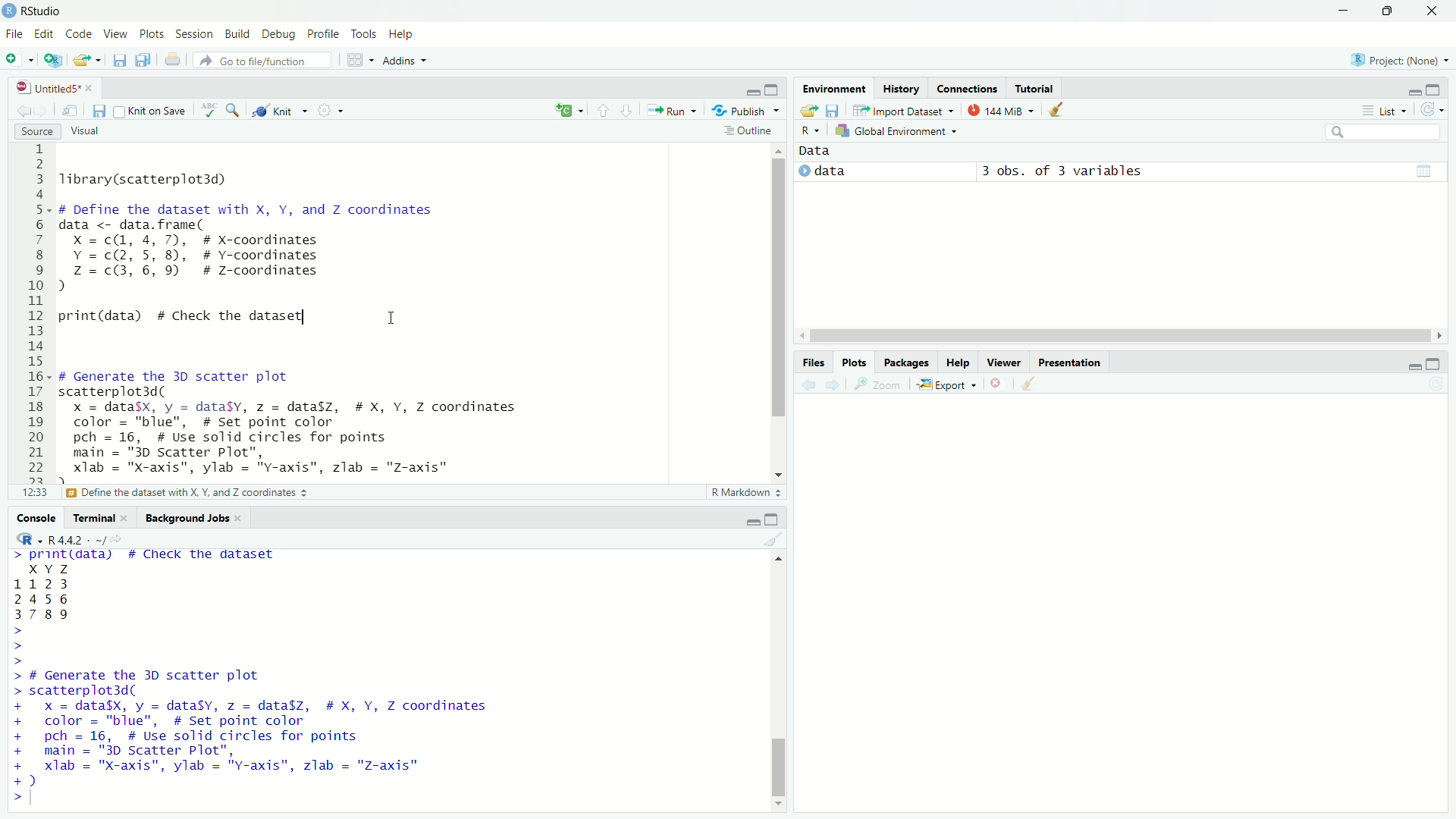 The image size is (1456, 819). Describe the element at coordinates (808, 110) in the screenshot. I see `load workspace` at that location.